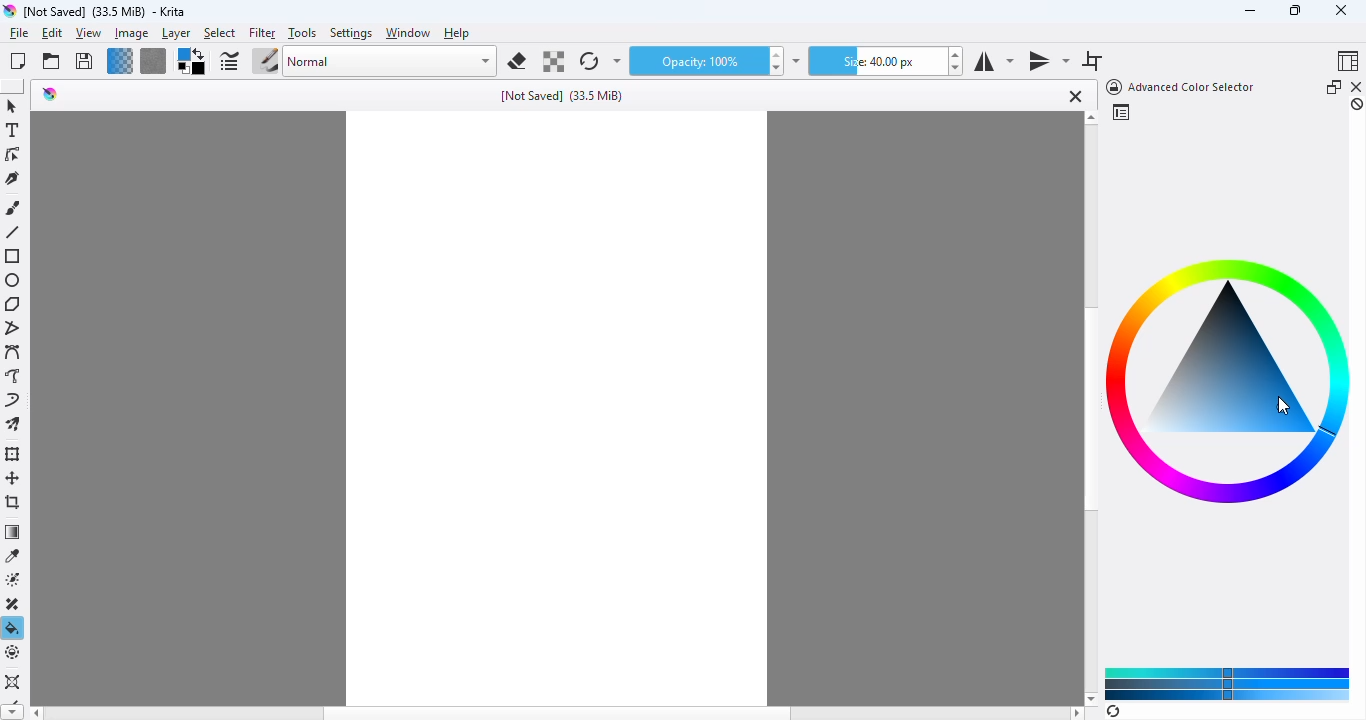  What do you see at coordinates (154, 61) in the screenshot?
I see `fill patterns` at bounding box center [154, 61].